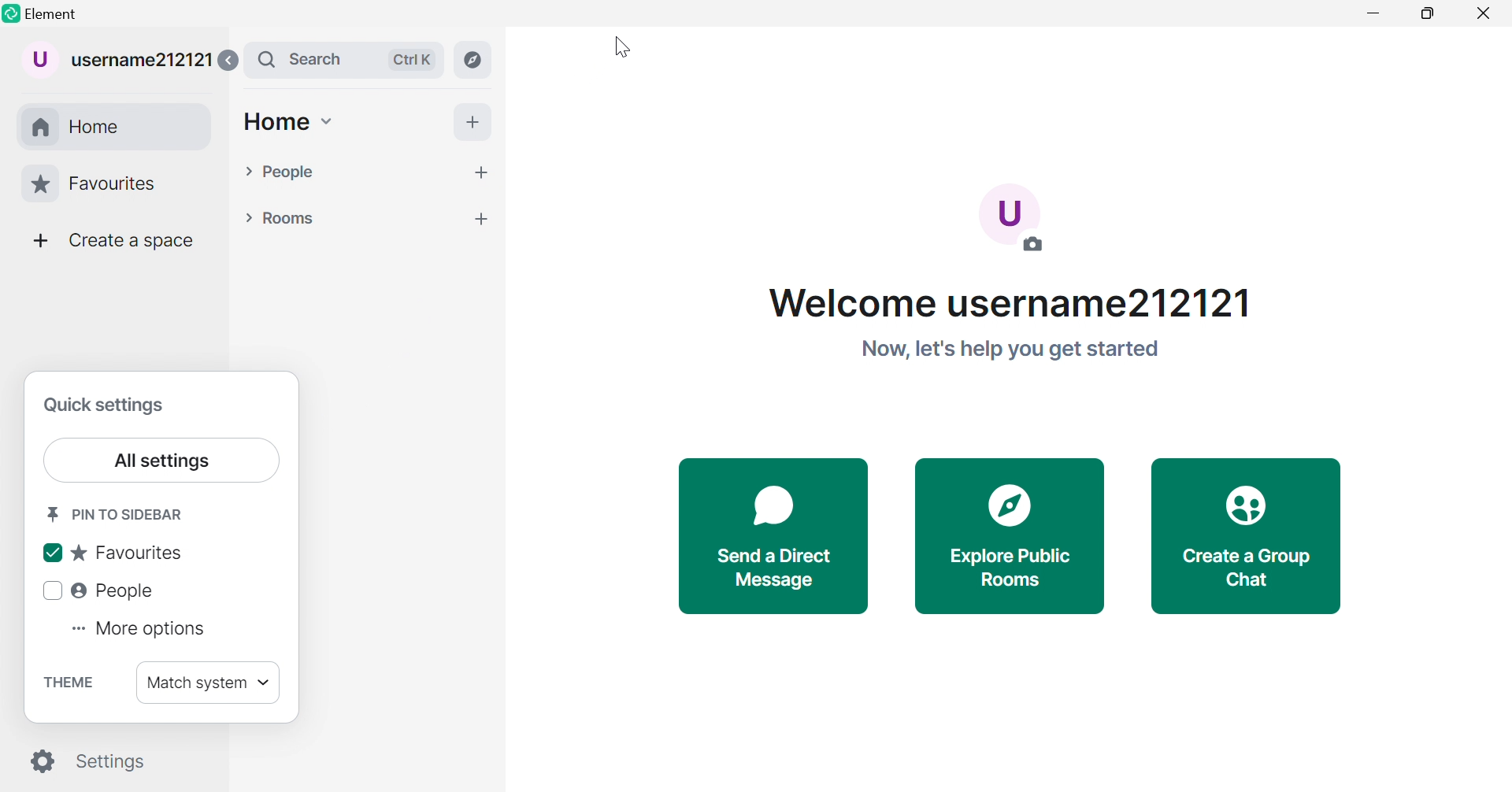 The image size is (1512, 792). I want to click on Close, so click(1484, 14).